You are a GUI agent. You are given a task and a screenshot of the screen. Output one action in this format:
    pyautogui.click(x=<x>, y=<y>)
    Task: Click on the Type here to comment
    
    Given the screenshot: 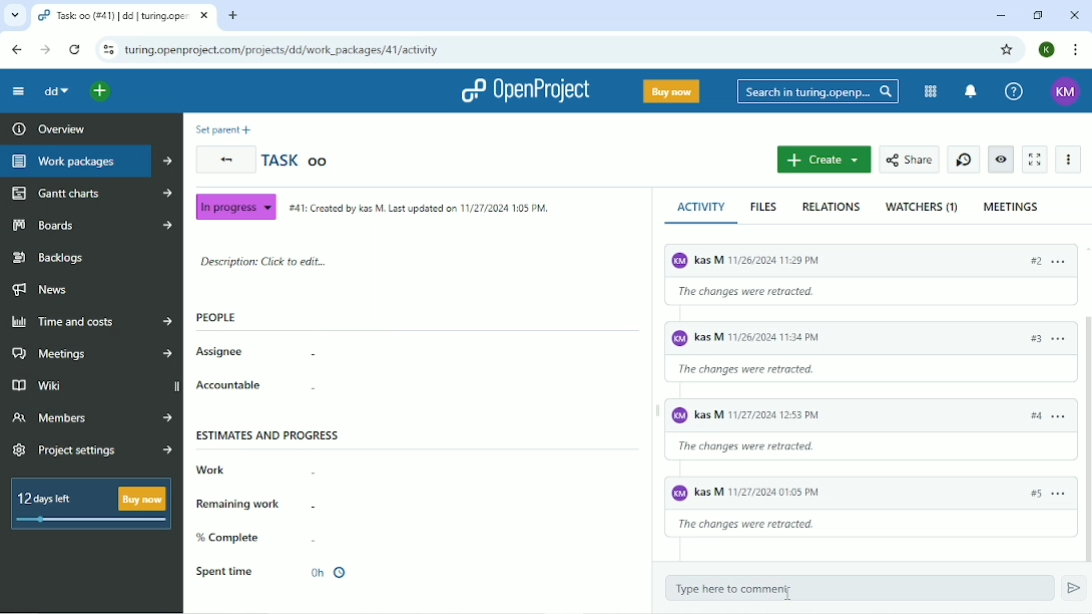 What is the action you would take?
    pyautogui.click(x=855, y=589)
    